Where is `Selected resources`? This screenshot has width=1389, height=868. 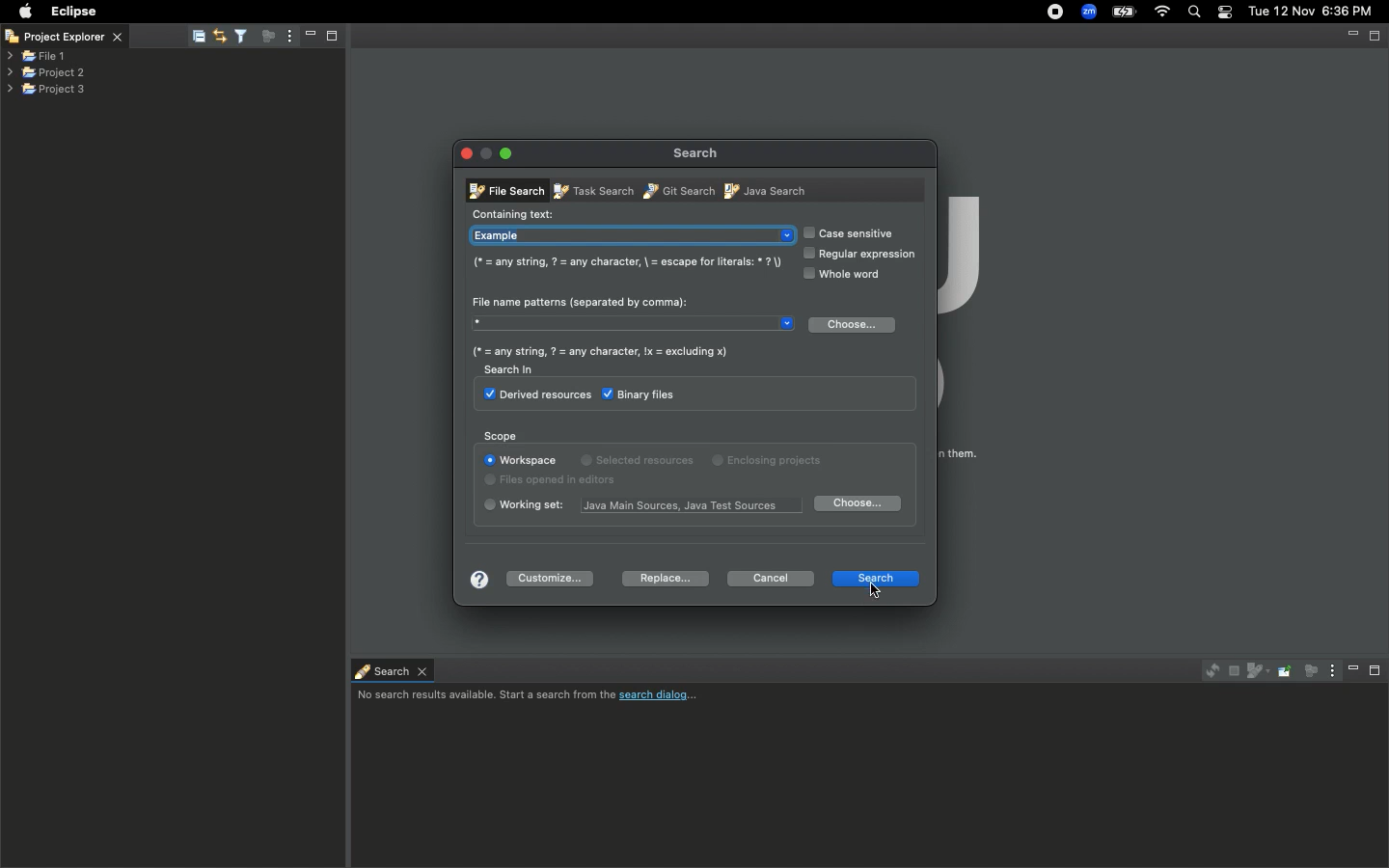
Selected resources is located at coordinates (640, 459).